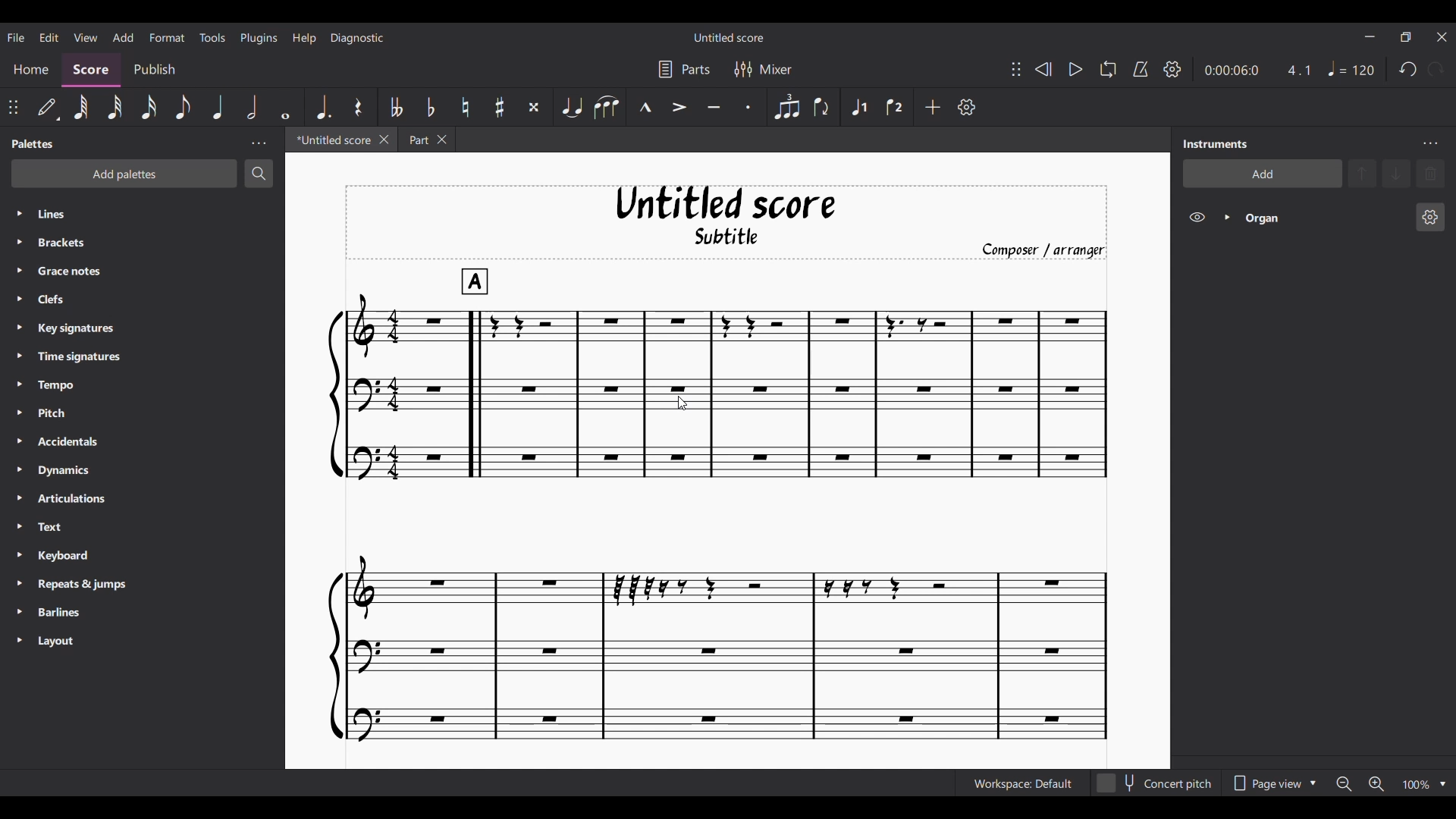 This screenshot has height=819, width=1456. Describe the element at coordinates (259, 37) in the screenshot. I see `Plugins menu` at that location.